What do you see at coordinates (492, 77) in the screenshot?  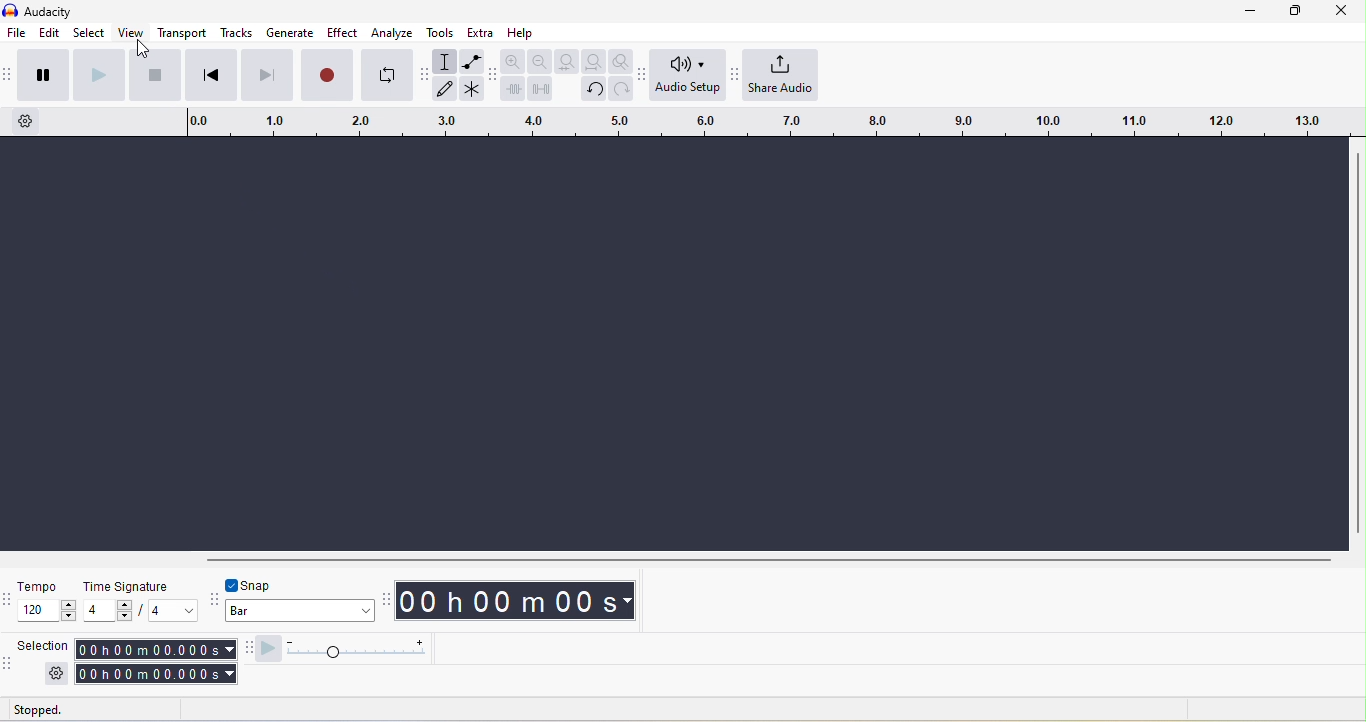 I see `audacity edit toolbar` at bounding box center [492, 77].